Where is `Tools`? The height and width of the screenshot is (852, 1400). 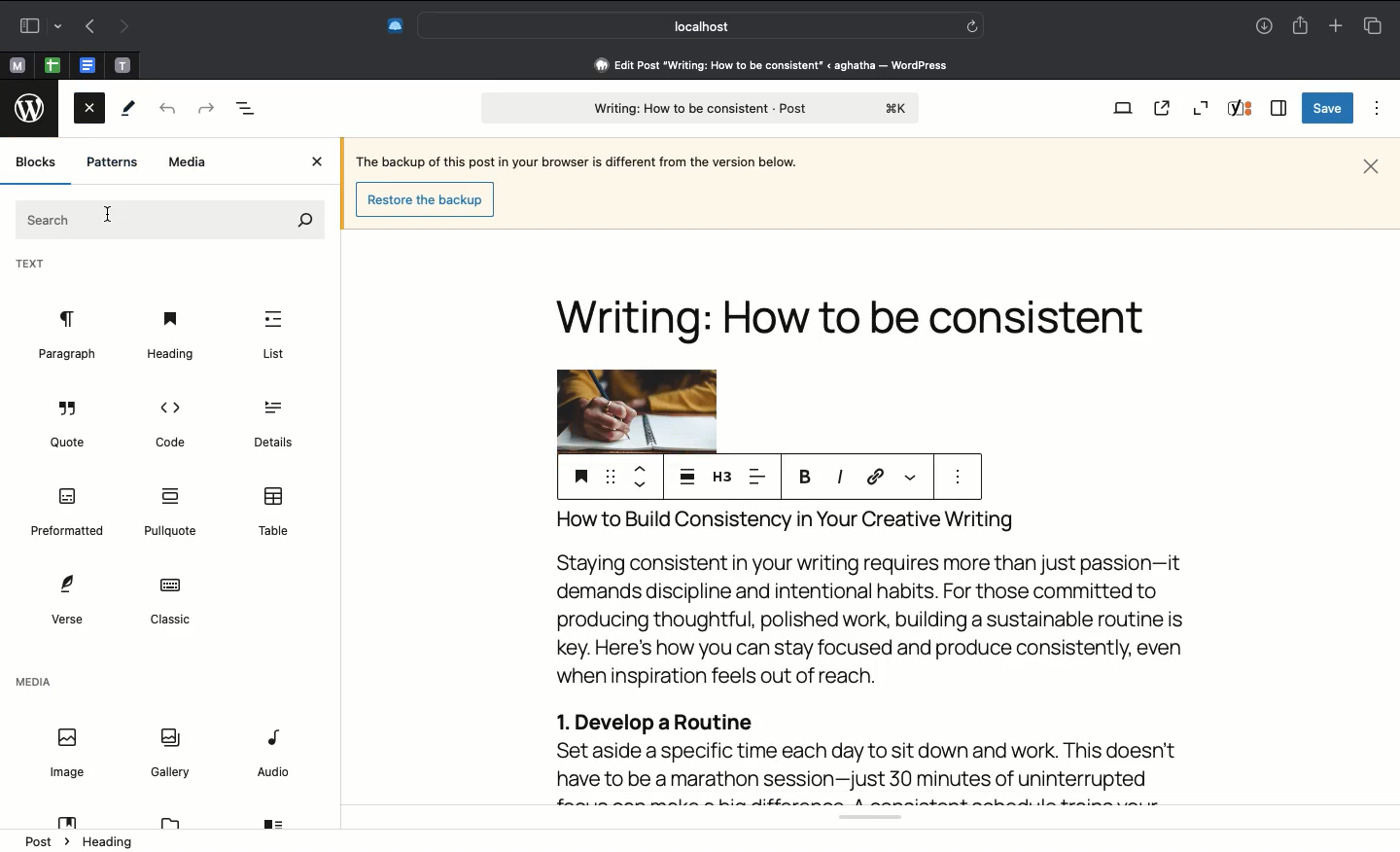
Tools is located at coordinates (130, 108).